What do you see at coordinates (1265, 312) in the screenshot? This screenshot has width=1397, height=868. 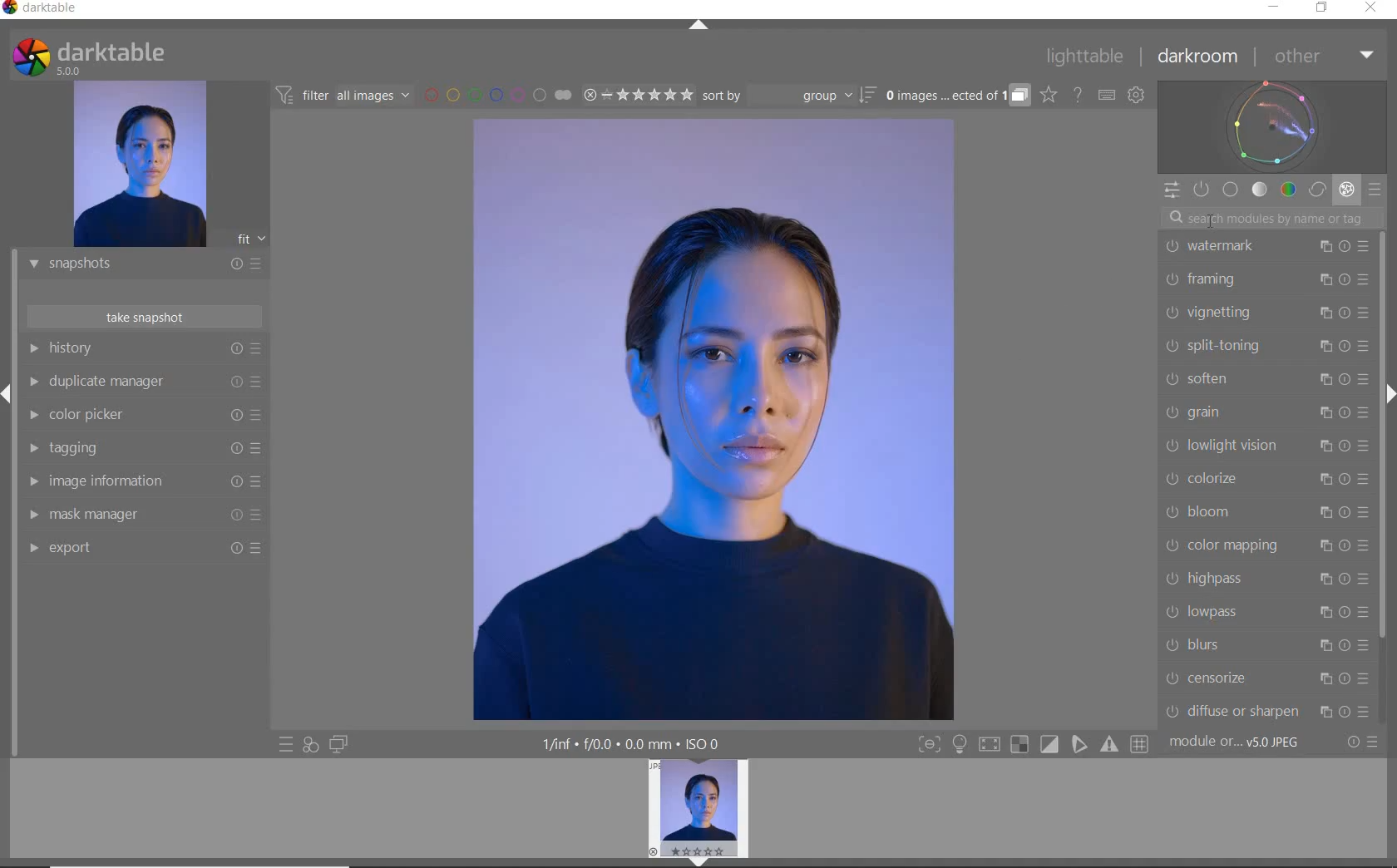 I see `VIGNETTING` at bounding box center [1265, 312].